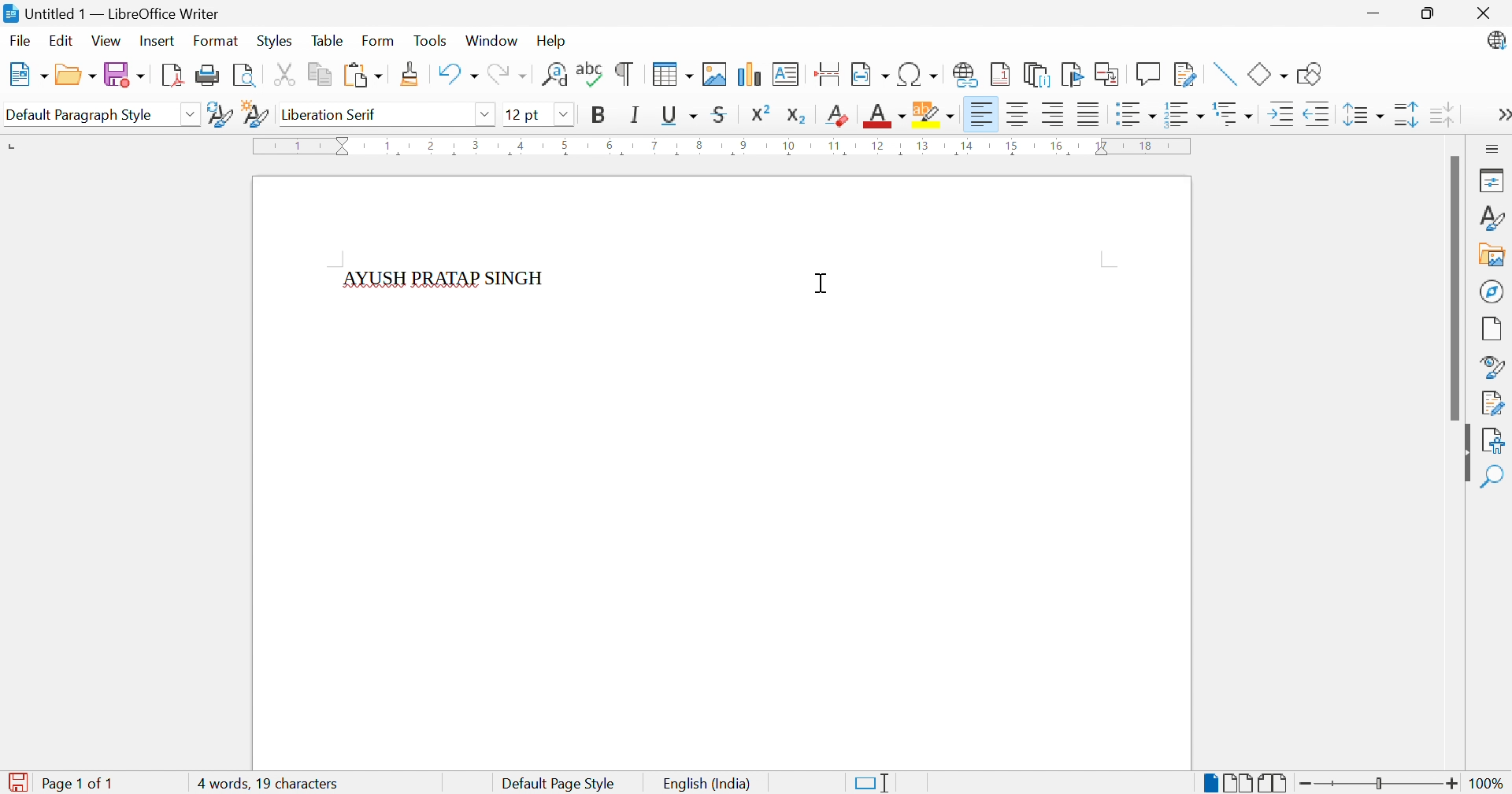 This screenshot has height=794, width=1512. Describe the element at coordinates (1281, 114) in the screenshot. I see `Increase Indent` at that location.